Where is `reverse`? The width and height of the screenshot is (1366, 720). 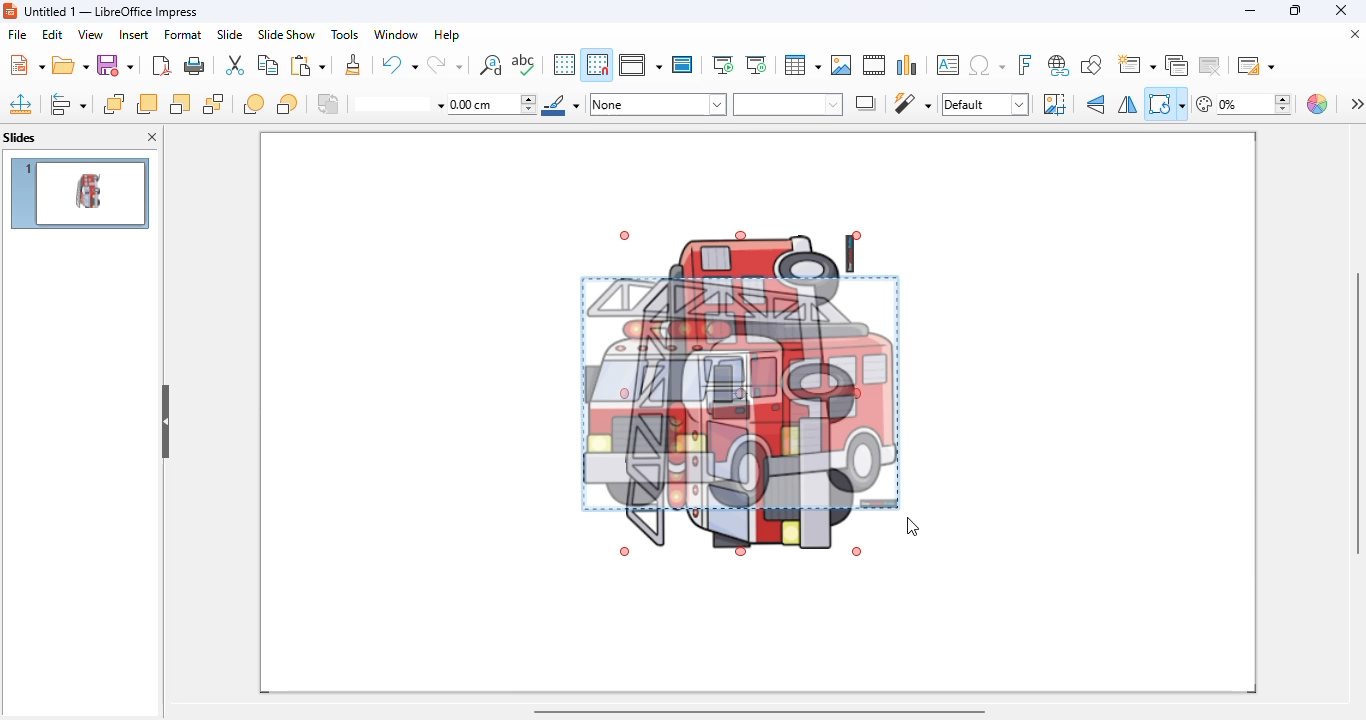 reverse is located at coordinates (329, 104).